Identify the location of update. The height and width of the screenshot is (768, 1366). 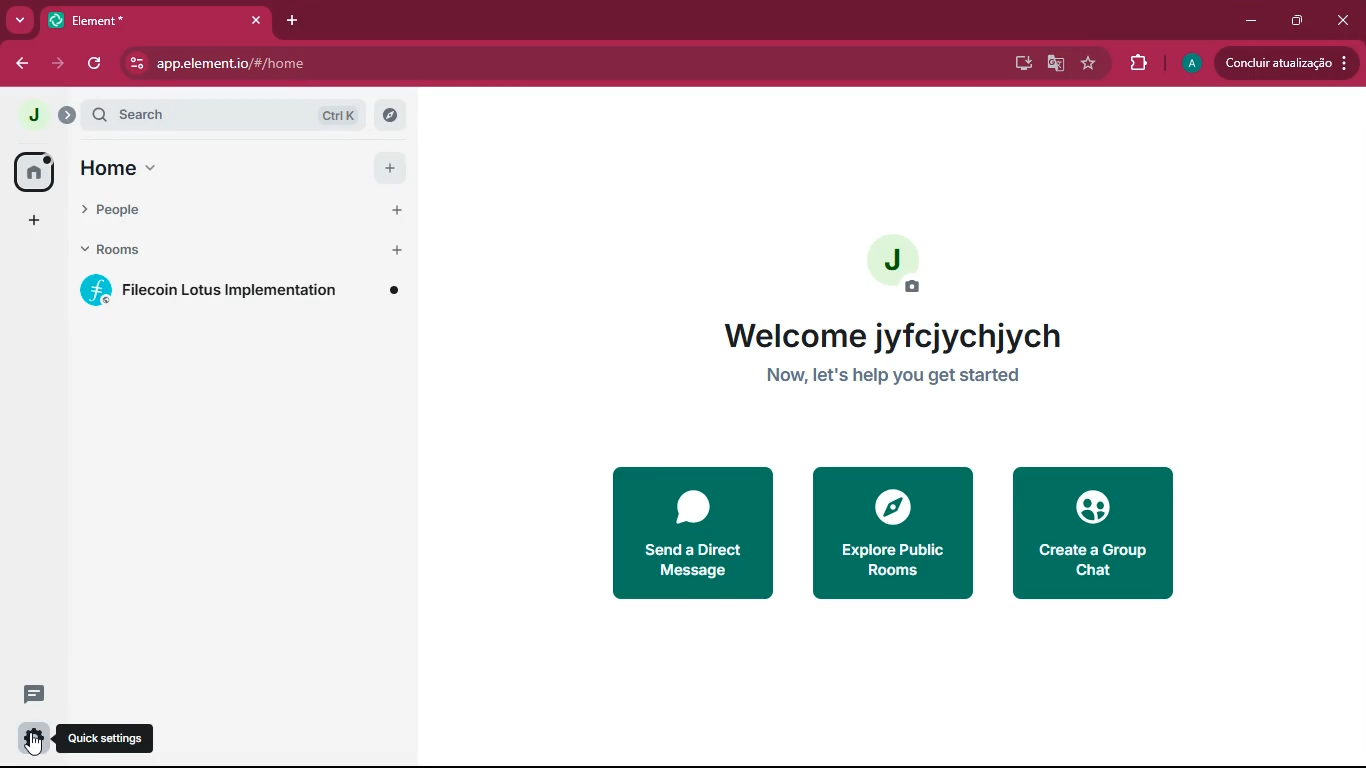
(1286, 64).